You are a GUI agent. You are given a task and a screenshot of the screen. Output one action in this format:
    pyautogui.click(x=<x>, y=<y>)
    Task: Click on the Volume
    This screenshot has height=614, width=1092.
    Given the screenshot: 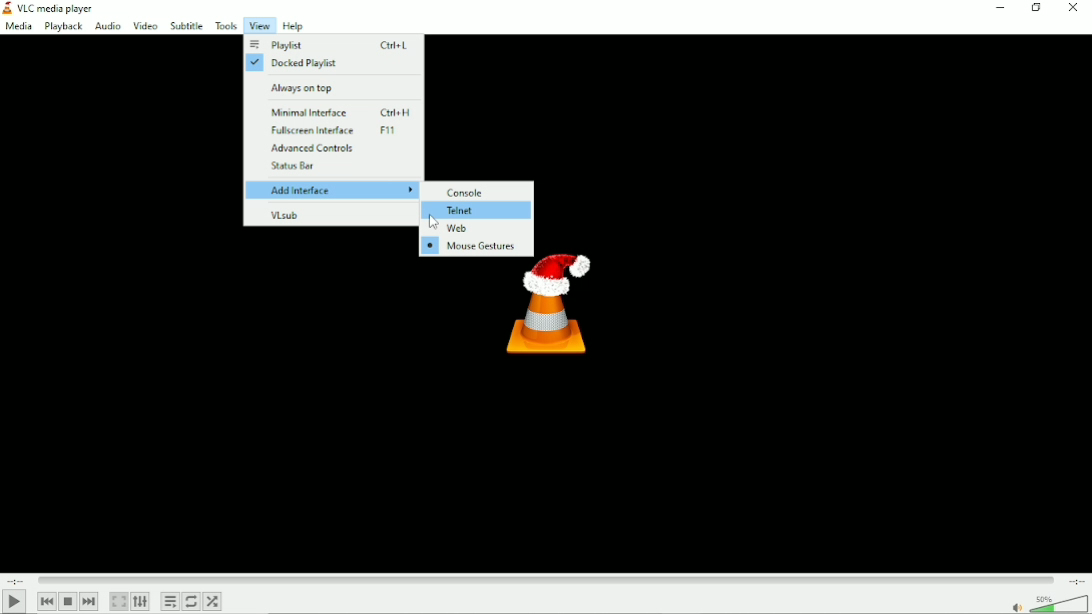 What is the action you would take?
    pyautogui.click(x=1047, y=603)
    